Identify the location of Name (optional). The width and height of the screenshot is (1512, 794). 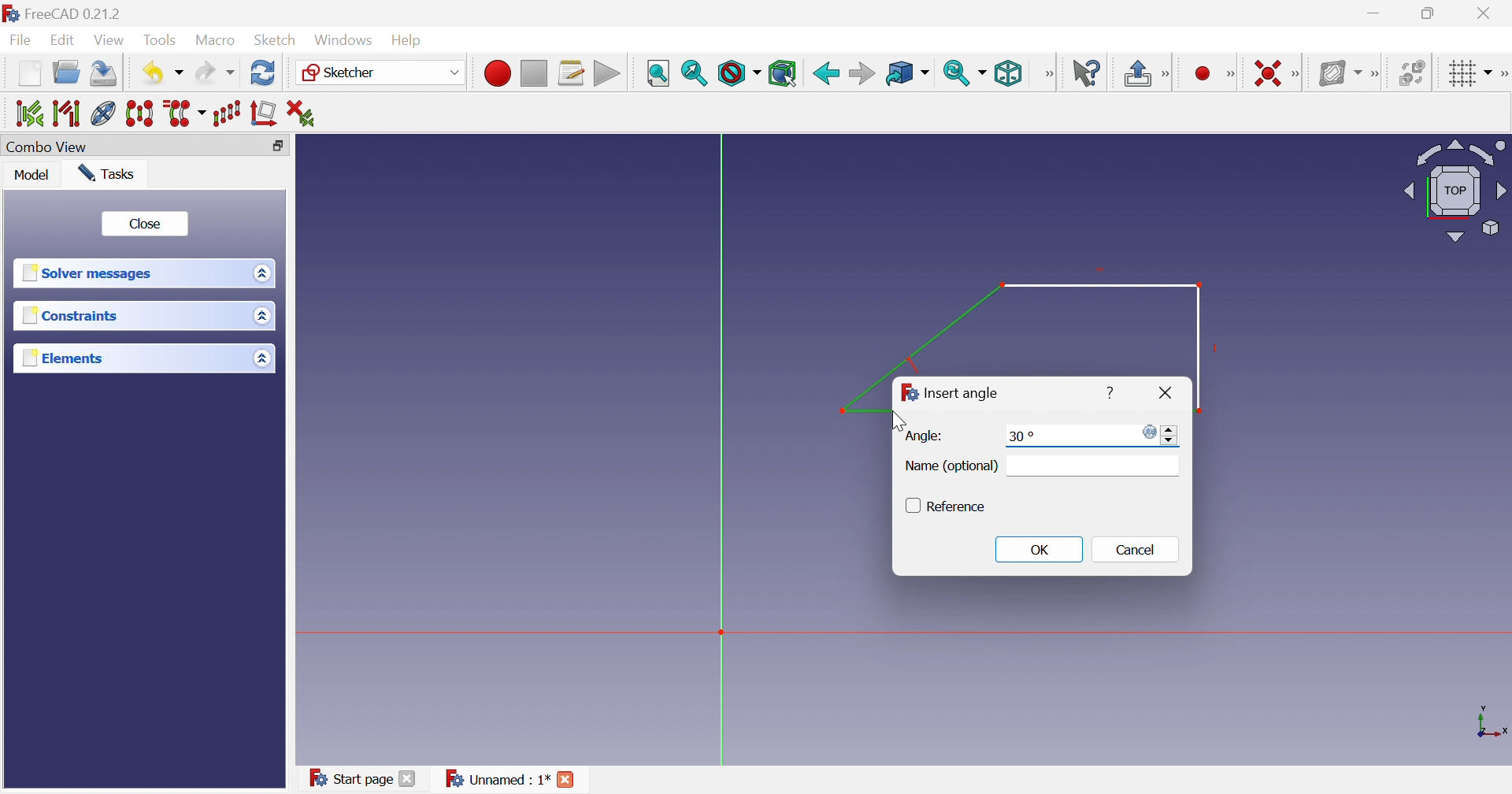
(951, 468).